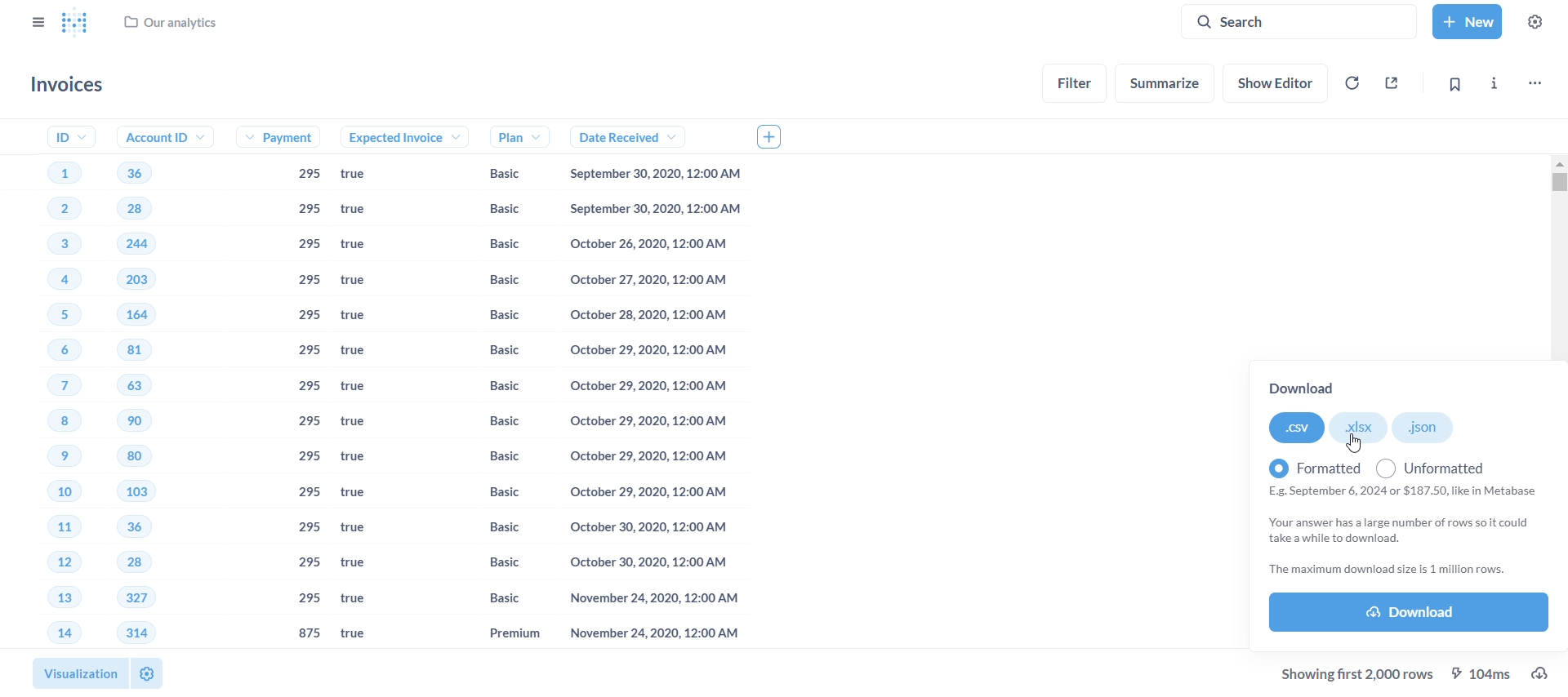 The image size is (1568, 697). Describe the element at coordinates (492, 282) in the screenshot. I see `Basic` at that location.